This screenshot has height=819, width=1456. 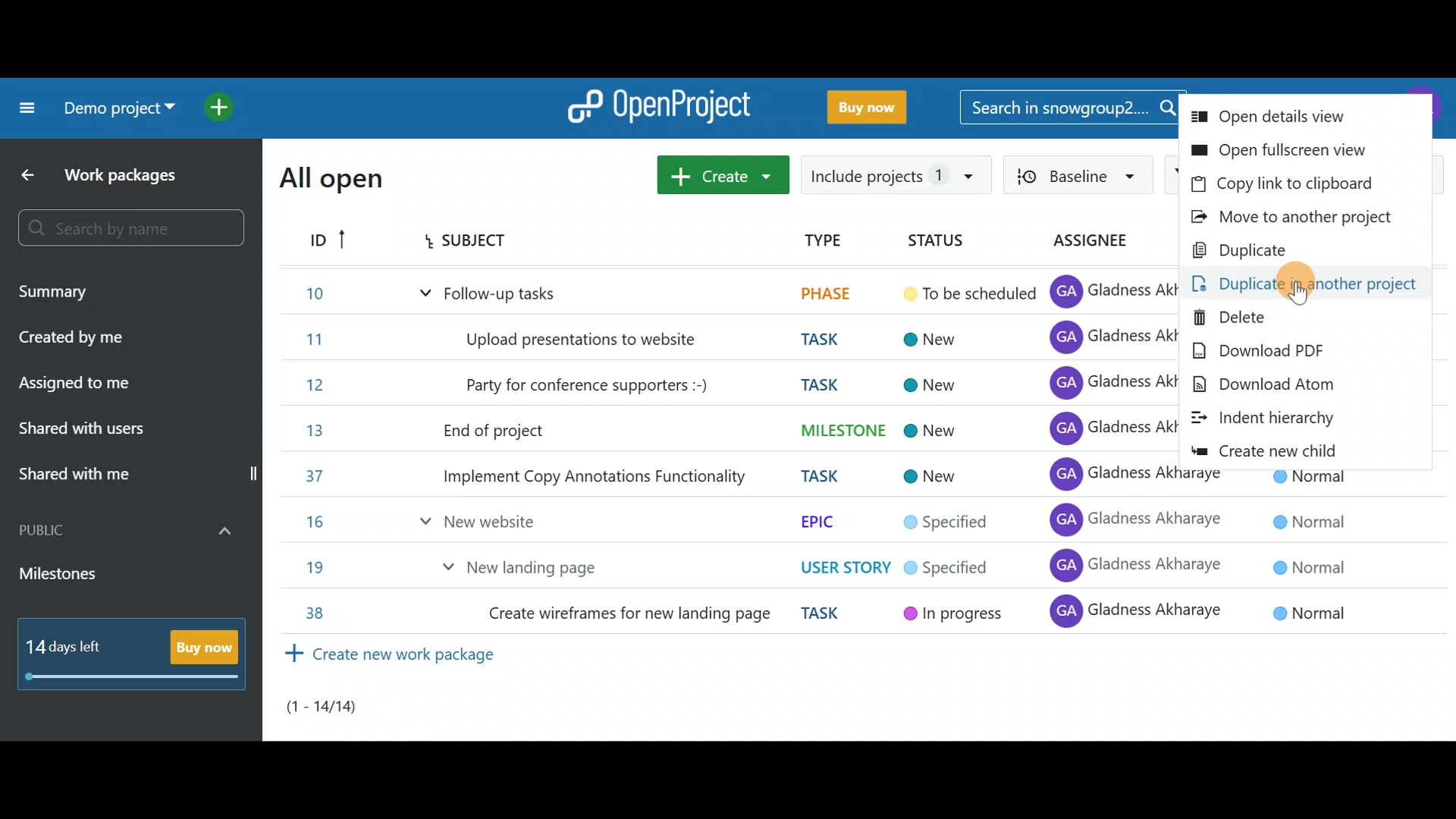 I want to click on Create new work package, so click(x=723, y=173).